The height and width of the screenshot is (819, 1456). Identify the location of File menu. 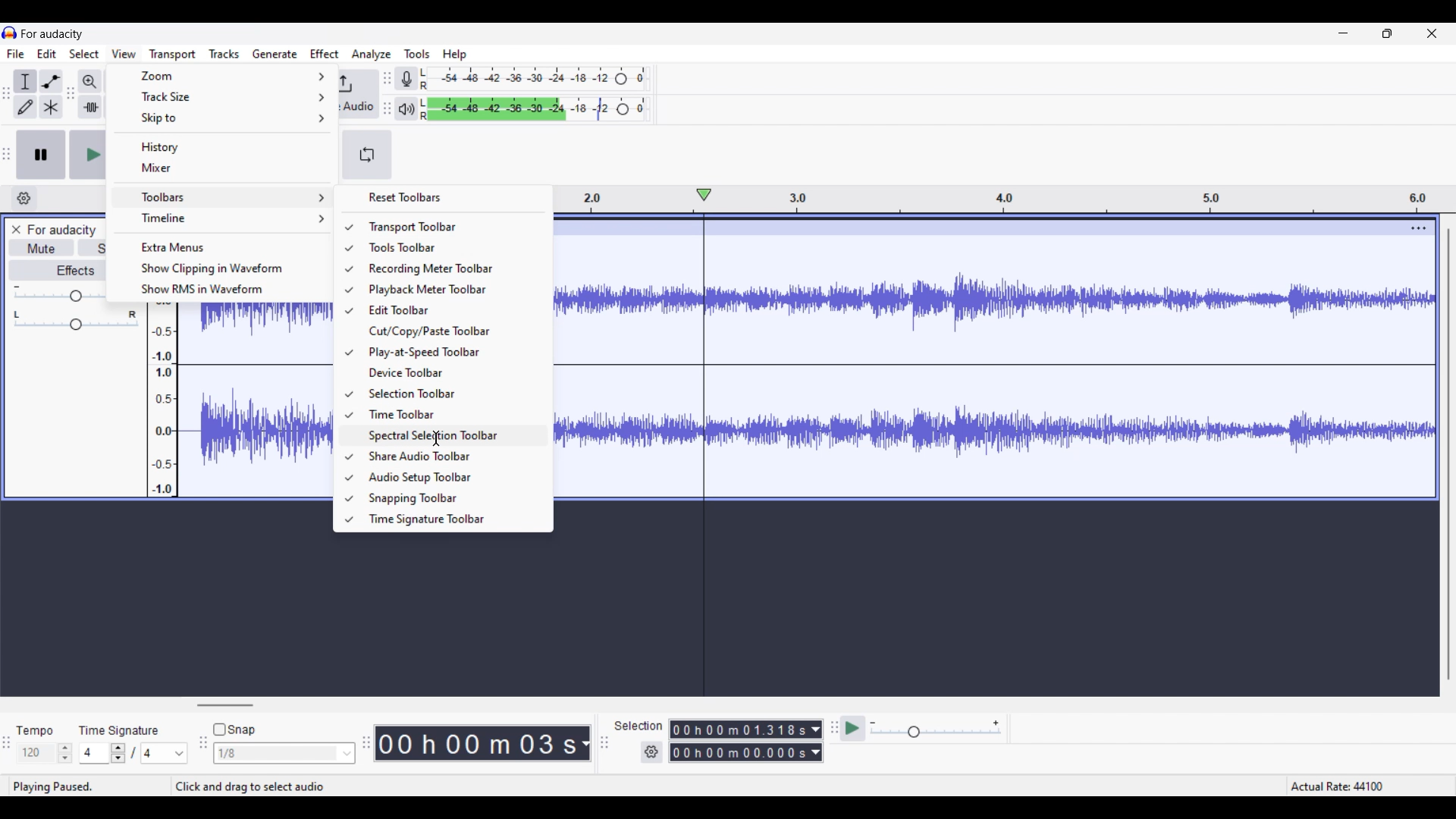
(16, 54).